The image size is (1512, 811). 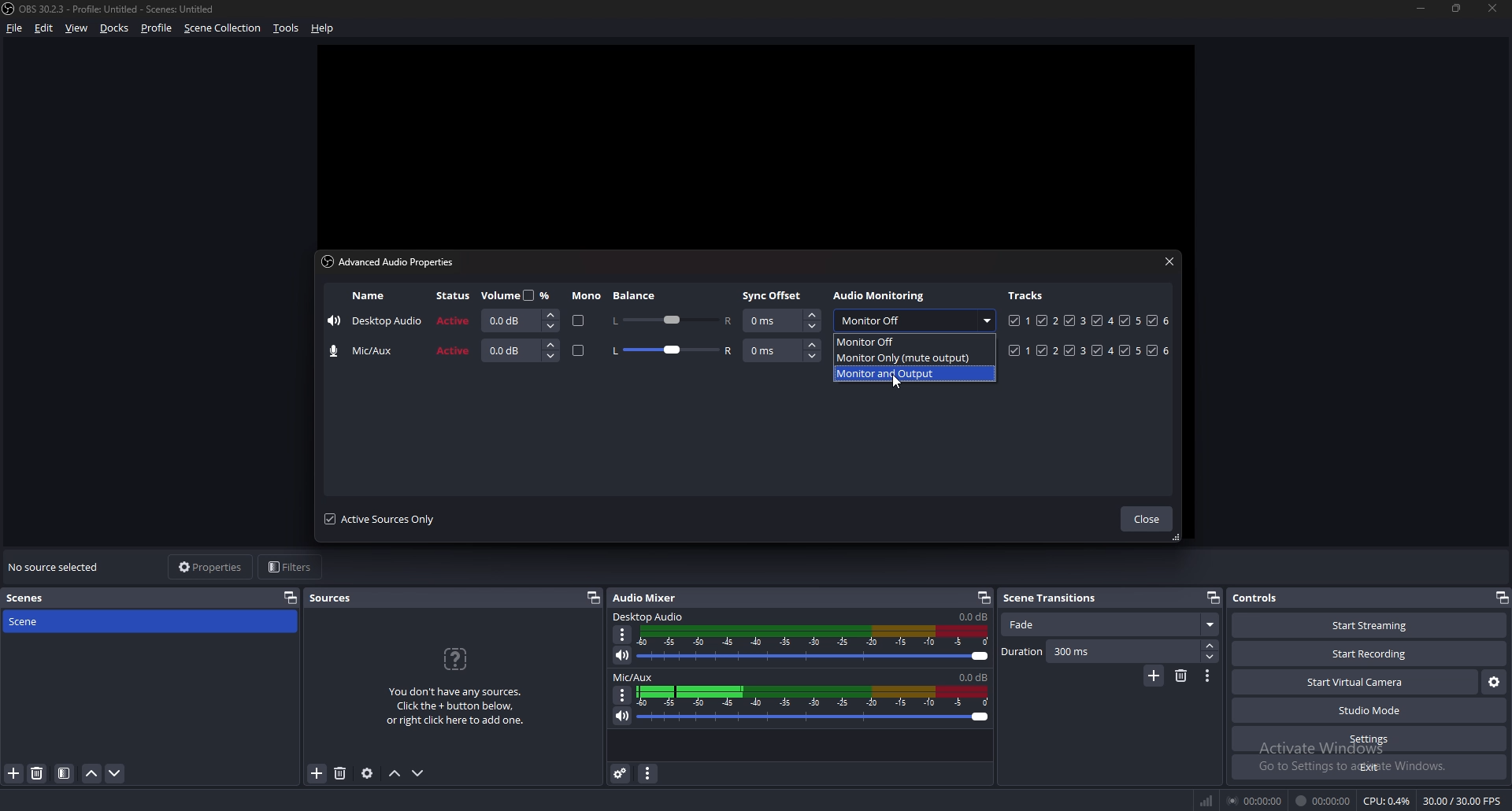 I want to click on audio monitoring, so click(x=913, y=320).